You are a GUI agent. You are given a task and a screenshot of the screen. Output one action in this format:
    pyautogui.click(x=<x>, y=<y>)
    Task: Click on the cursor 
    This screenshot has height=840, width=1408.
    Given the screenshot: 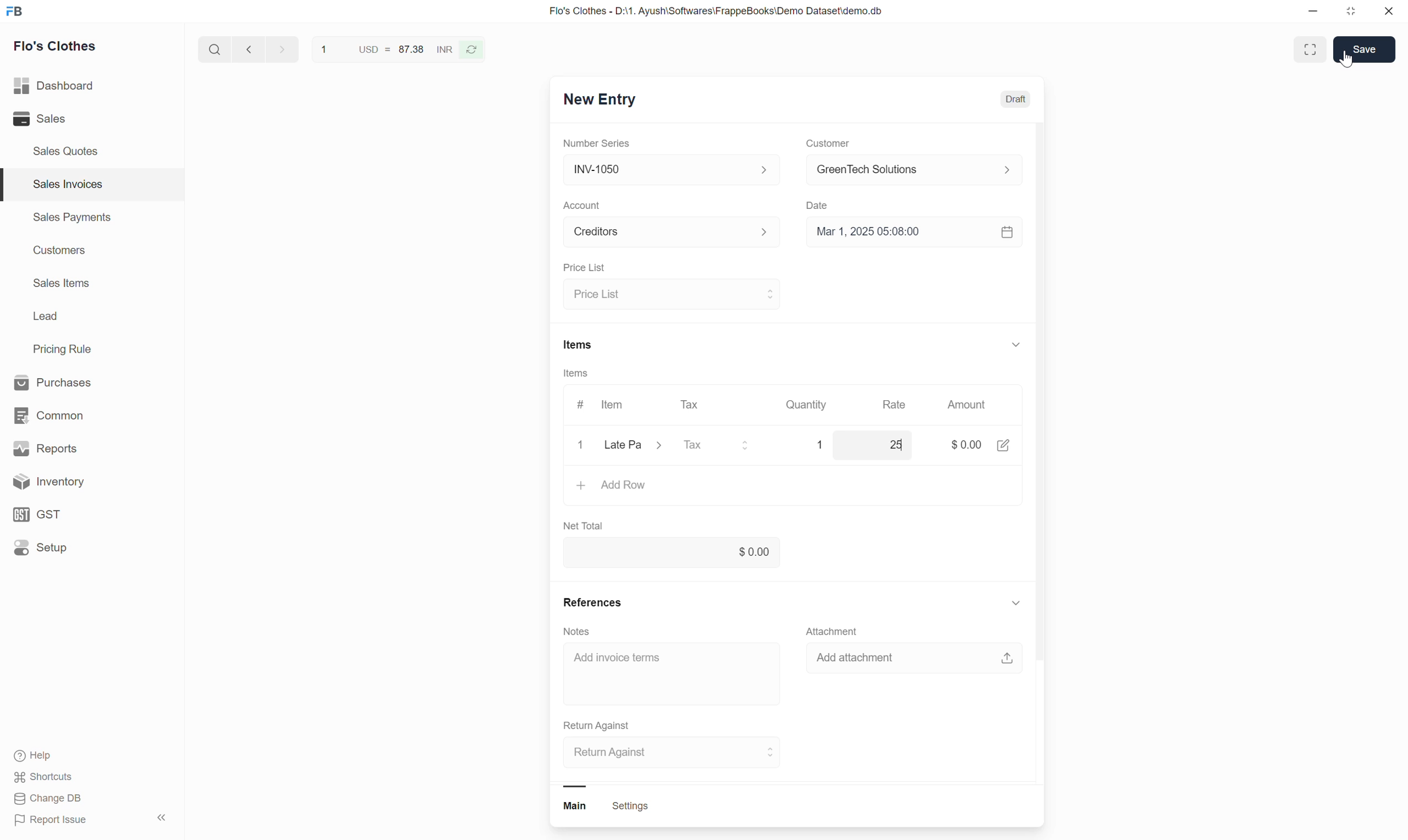 What is the action you would take?
    pyautogui.click(x=1347, y=60)
    